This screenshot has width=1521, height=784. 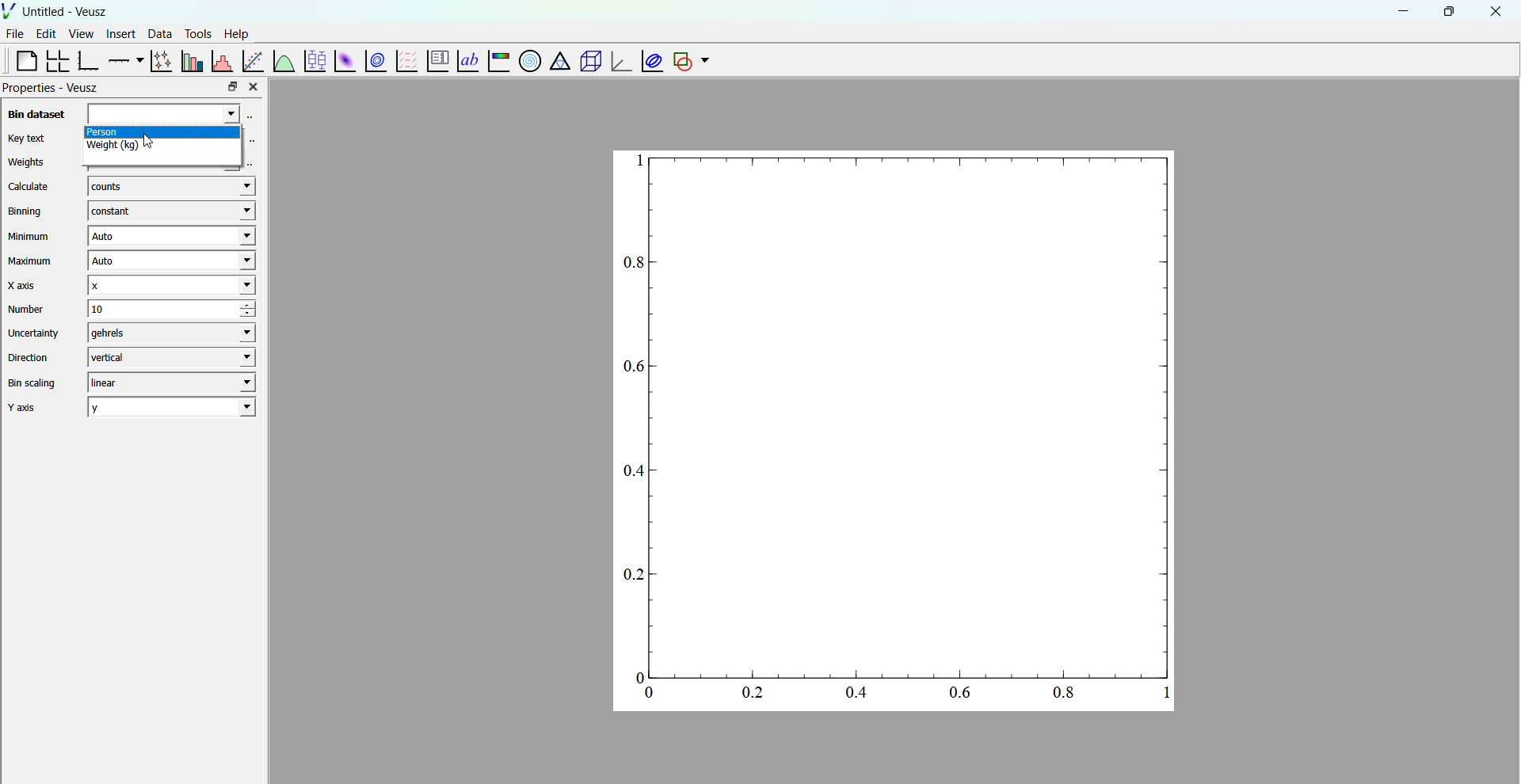 What do you see at coordinates (646, 686) in the screenshot?
I see `0 and 0` at bounding box center [646, 686].